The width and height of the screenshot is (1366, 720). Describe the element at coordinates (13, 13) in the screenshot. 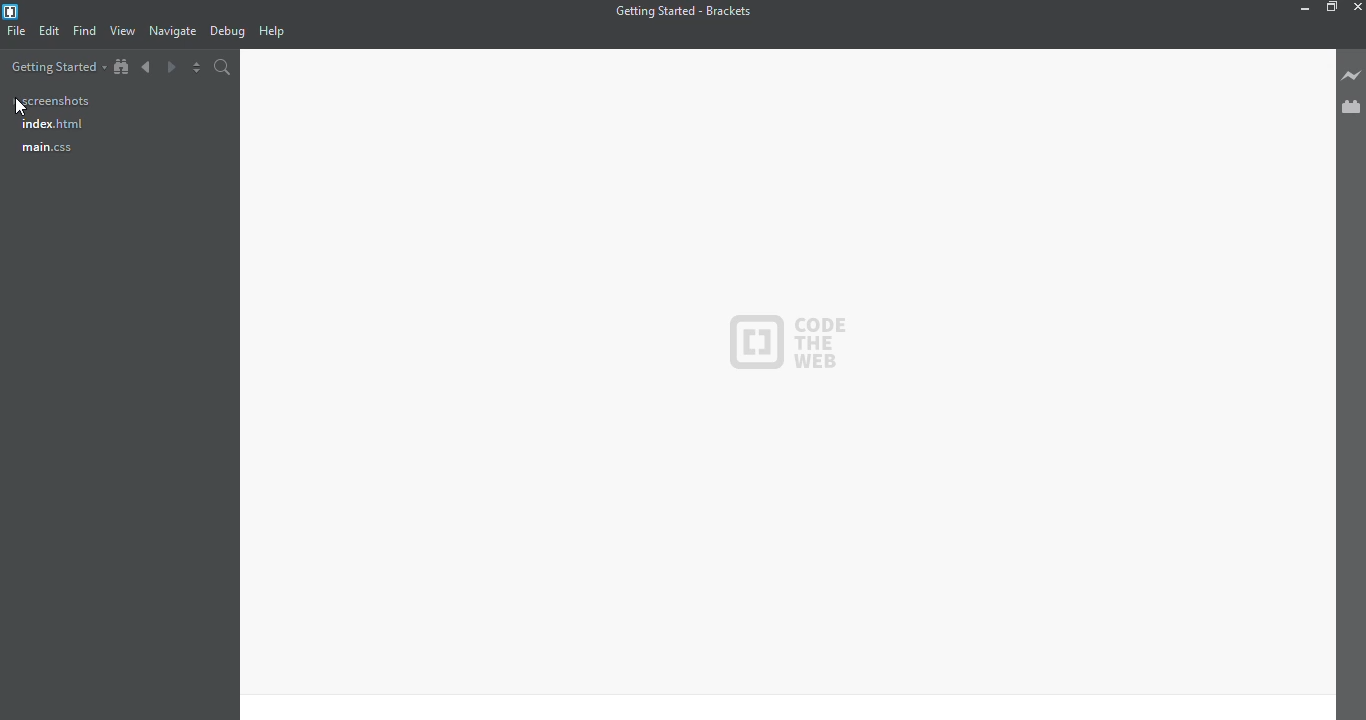

I see `bracket` at that location.